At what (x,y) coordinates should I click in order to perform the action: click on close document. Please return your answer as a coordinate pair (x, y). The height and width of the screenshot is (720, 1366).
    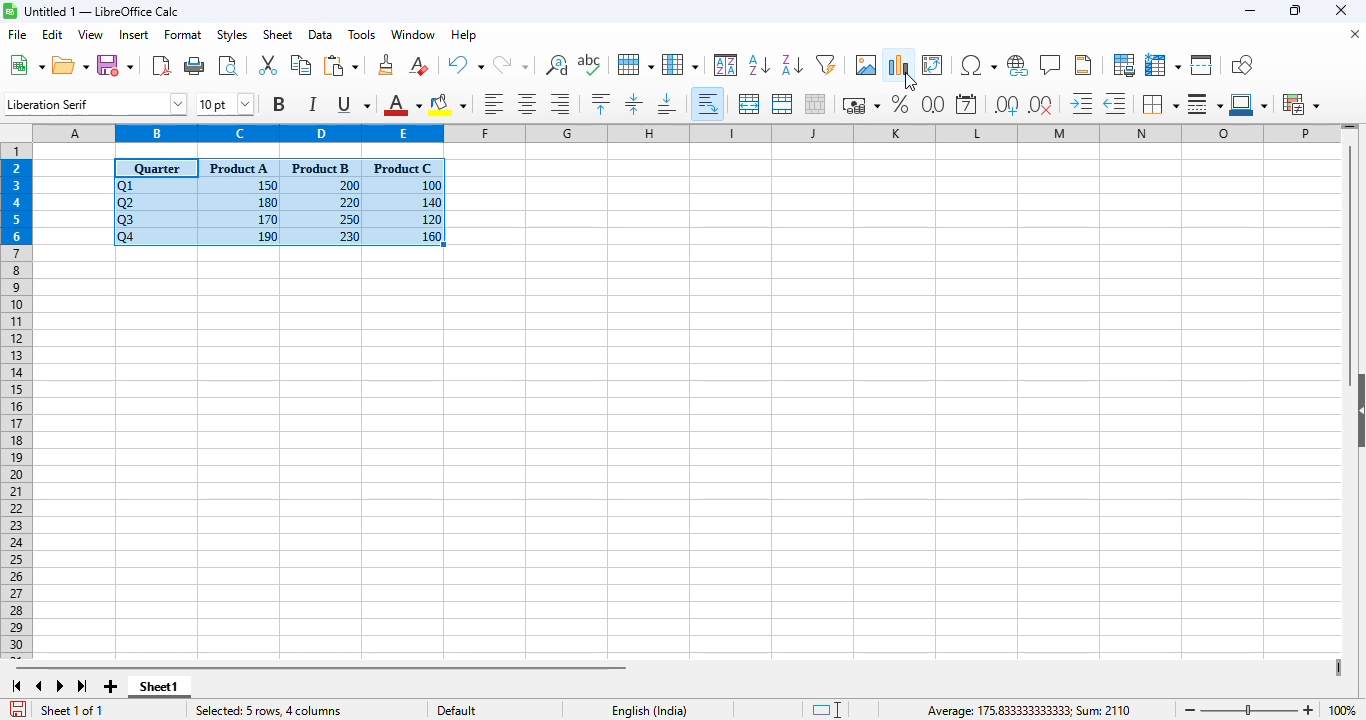
    Looking at the image, I should click on (1355, 34).